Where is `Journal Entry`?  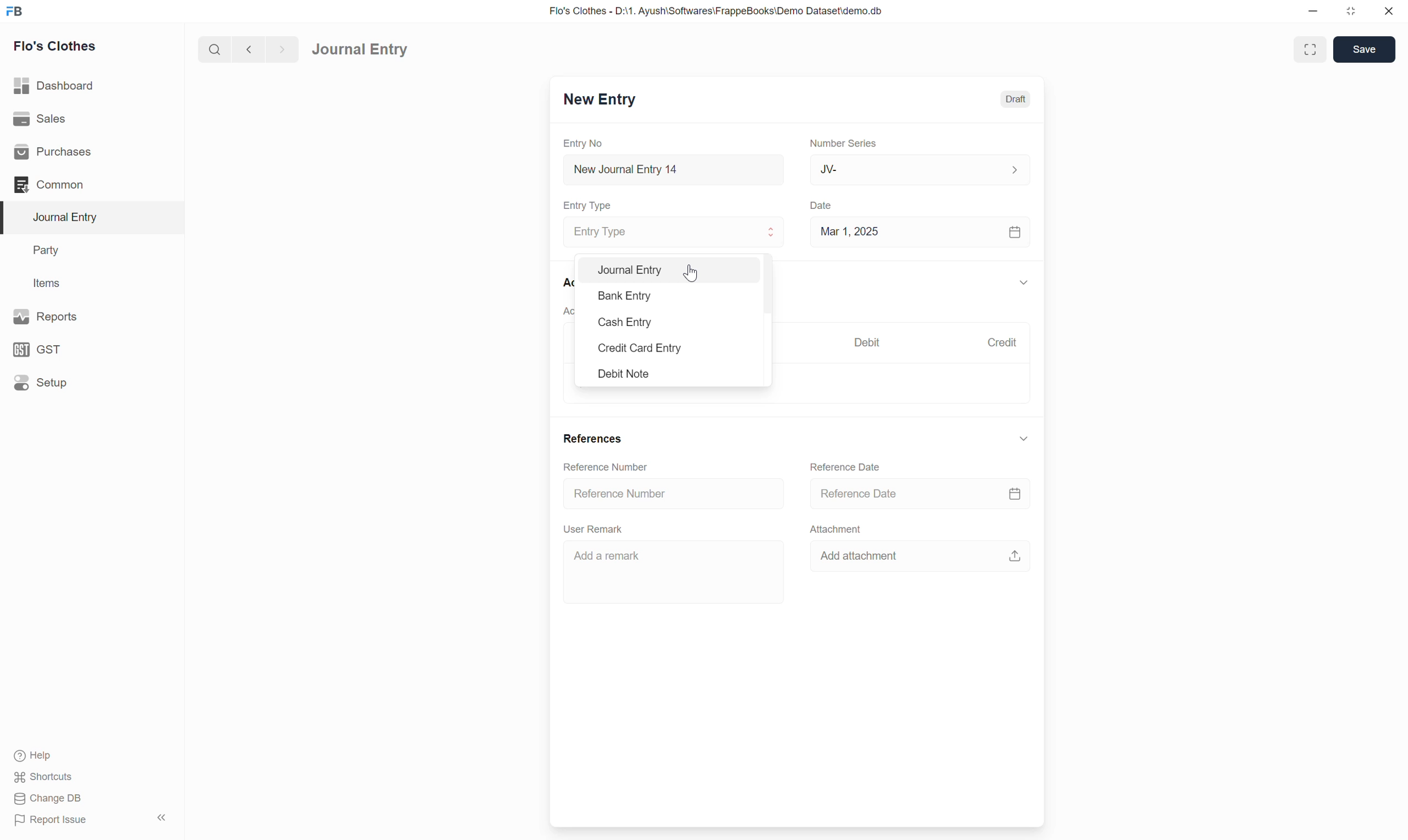
Journal Entry is located at coordinates (674, 231).